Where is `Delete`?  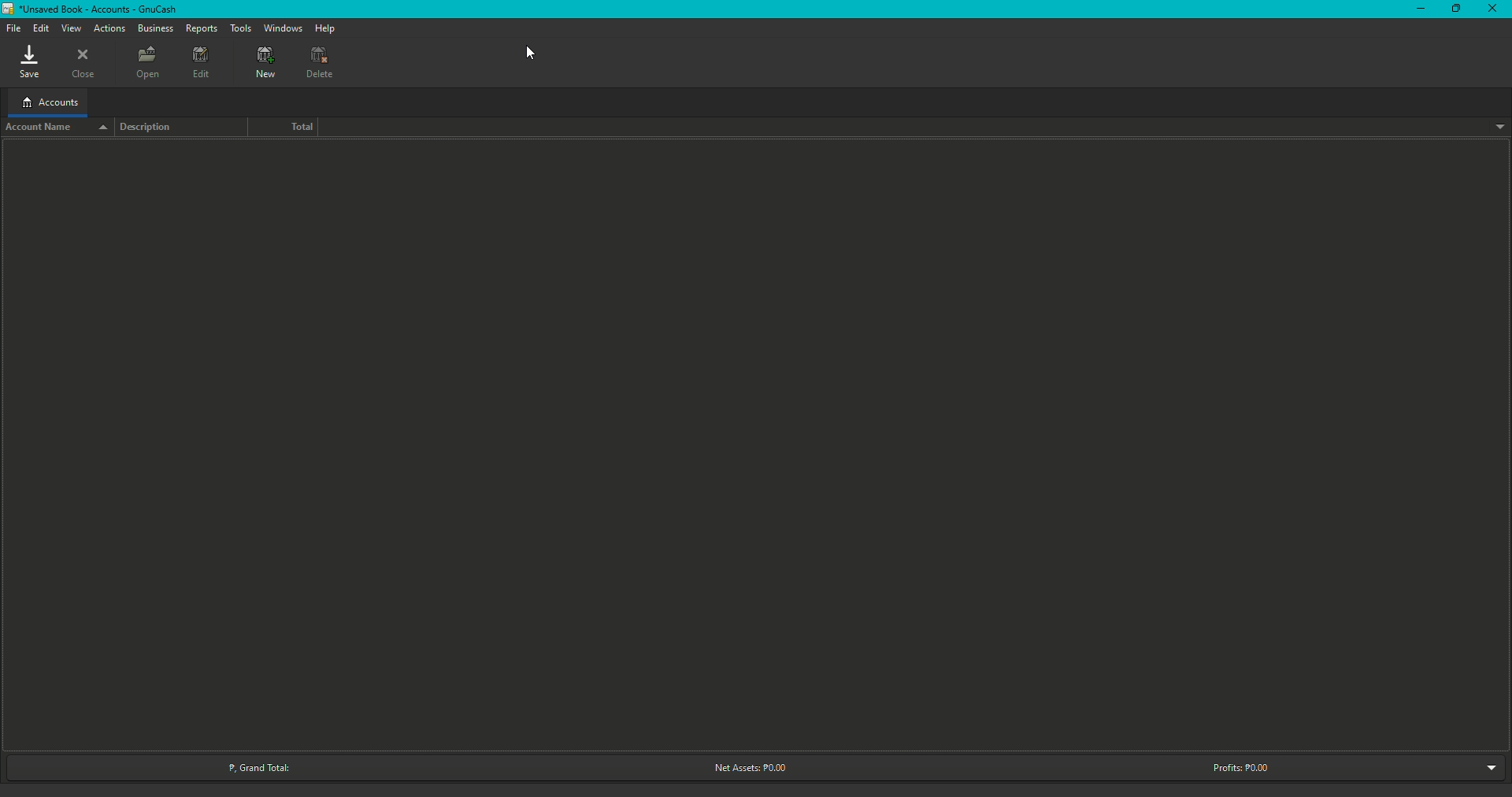
Delete is located at coordinates (321, 62).